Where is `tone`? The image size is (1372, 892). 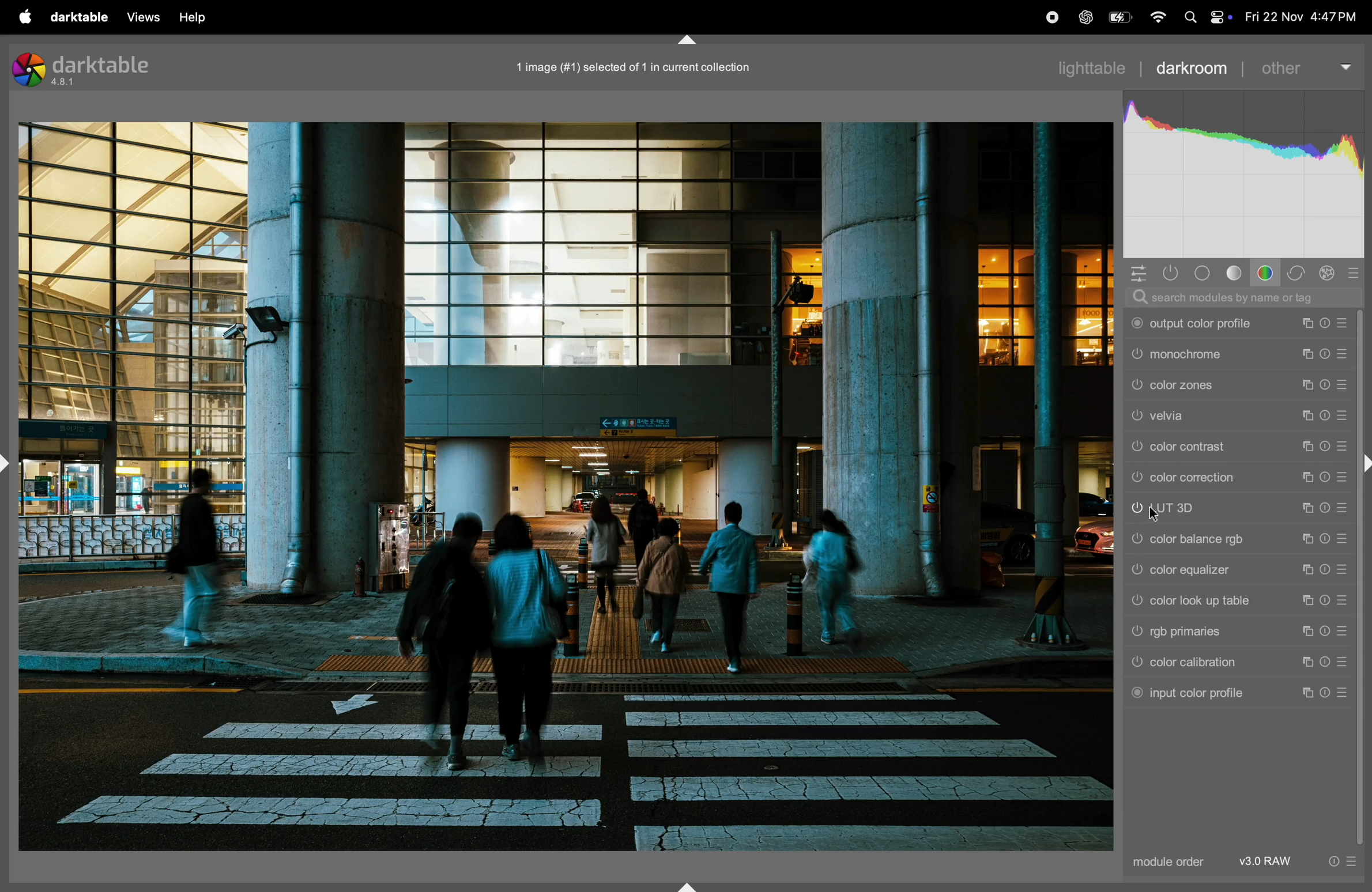 tone is located at coordinates (1234, 274).